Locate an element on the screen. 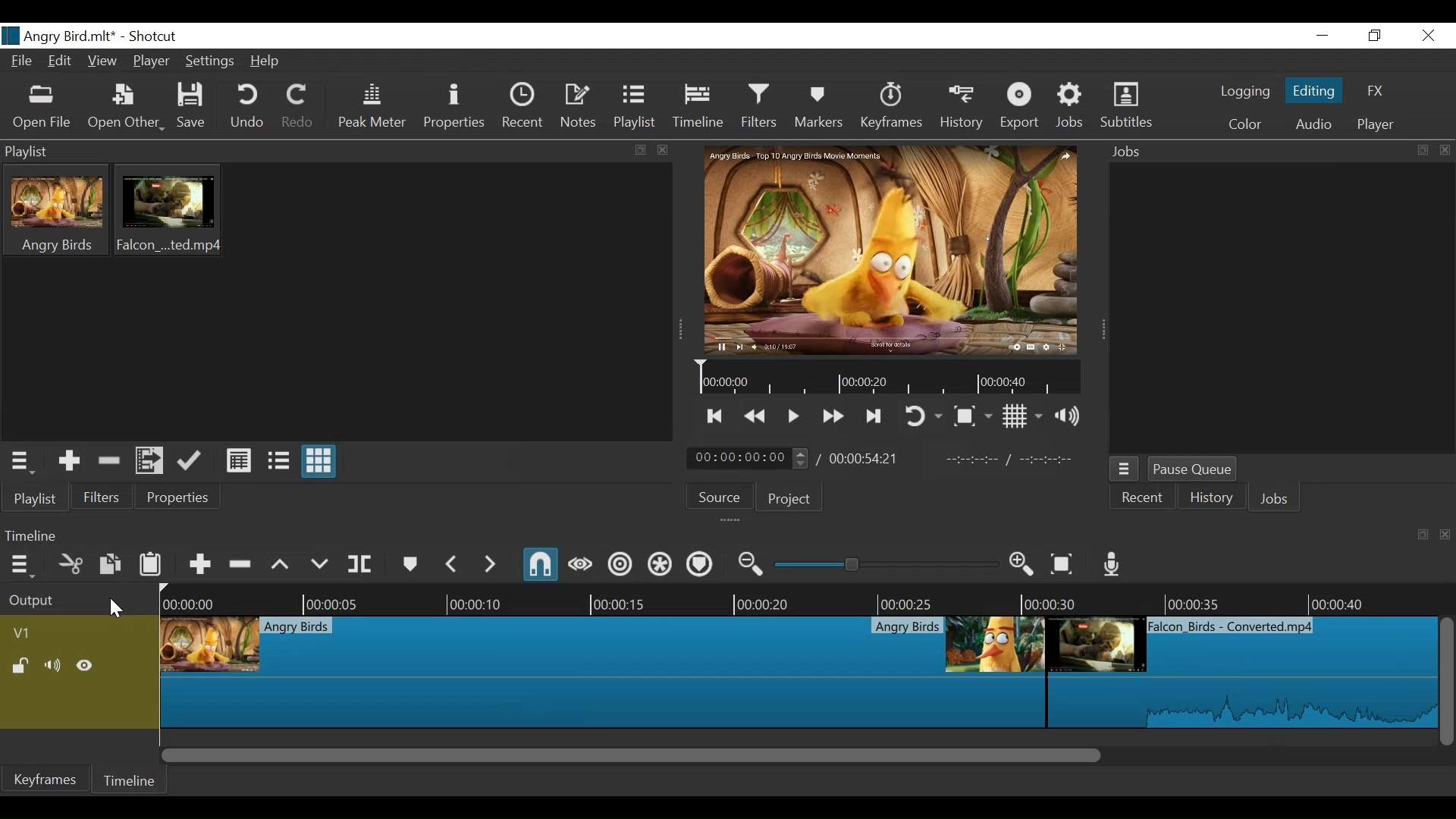  Shotcut is located at coordinates (153, 36).